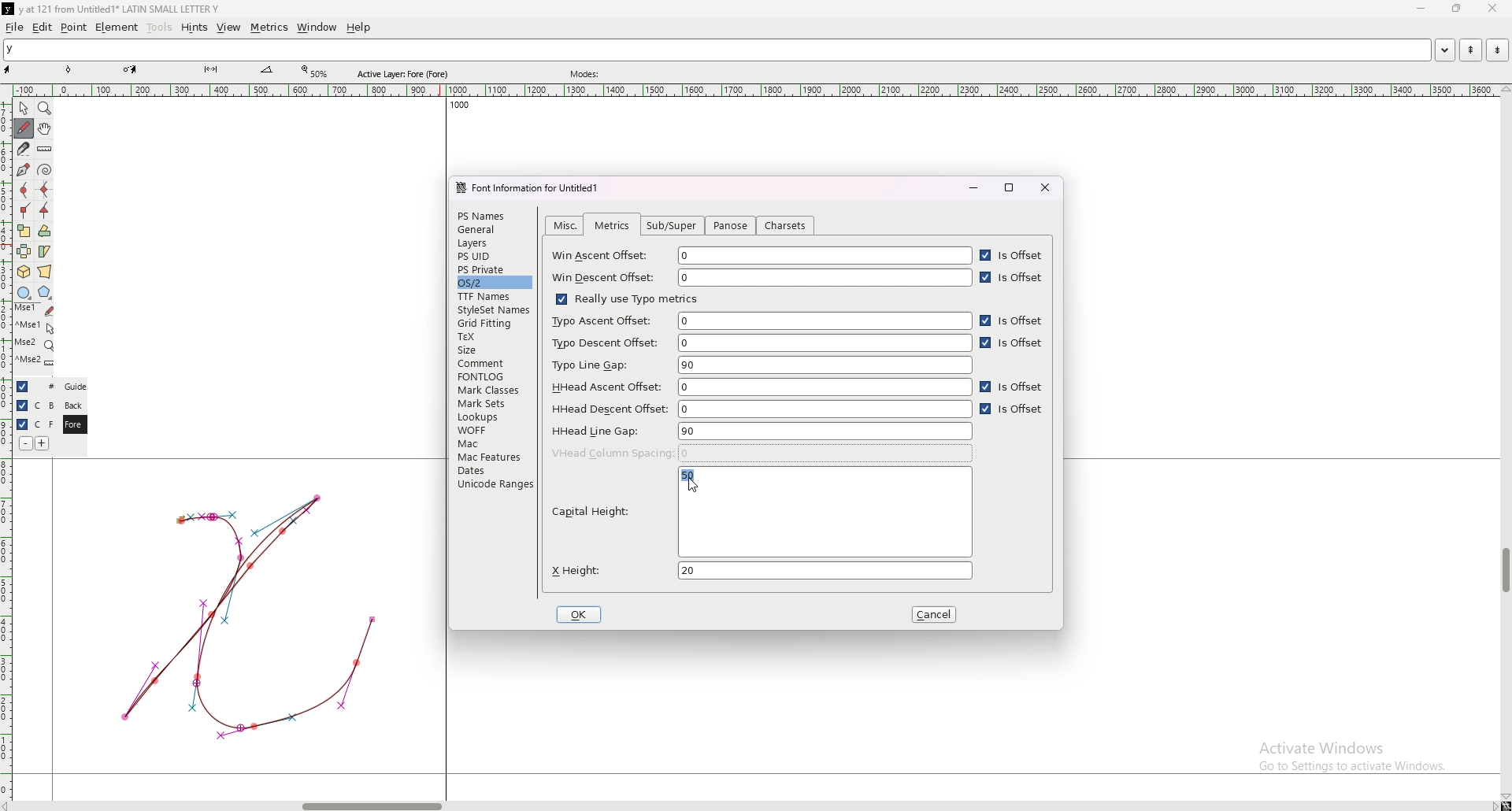 The height and width of the screenshot is (811, 1512). I want to click on typo descent offset 0, so click(760, 343).